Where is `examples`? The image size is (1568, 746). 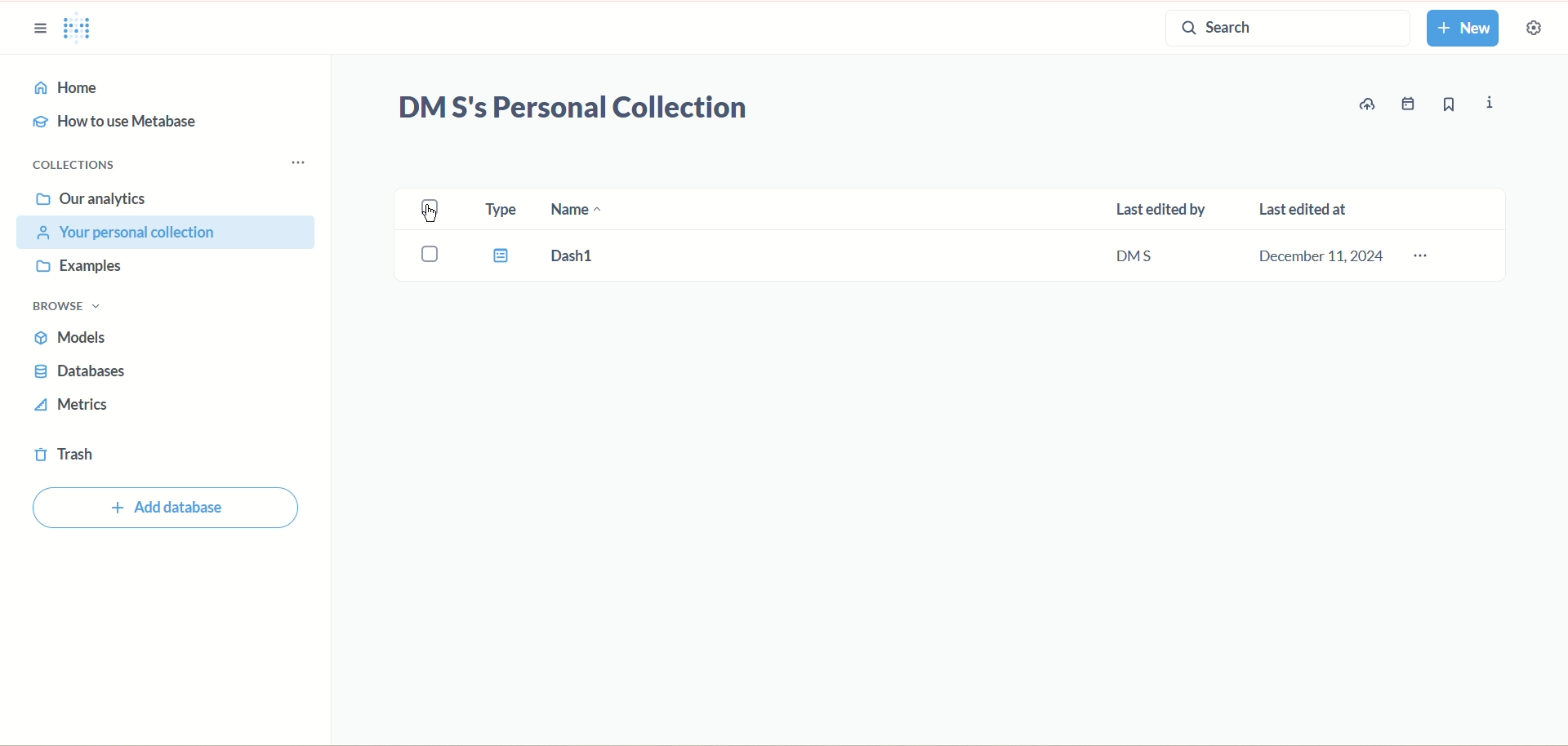 examples is located at coordinates (82, 265).